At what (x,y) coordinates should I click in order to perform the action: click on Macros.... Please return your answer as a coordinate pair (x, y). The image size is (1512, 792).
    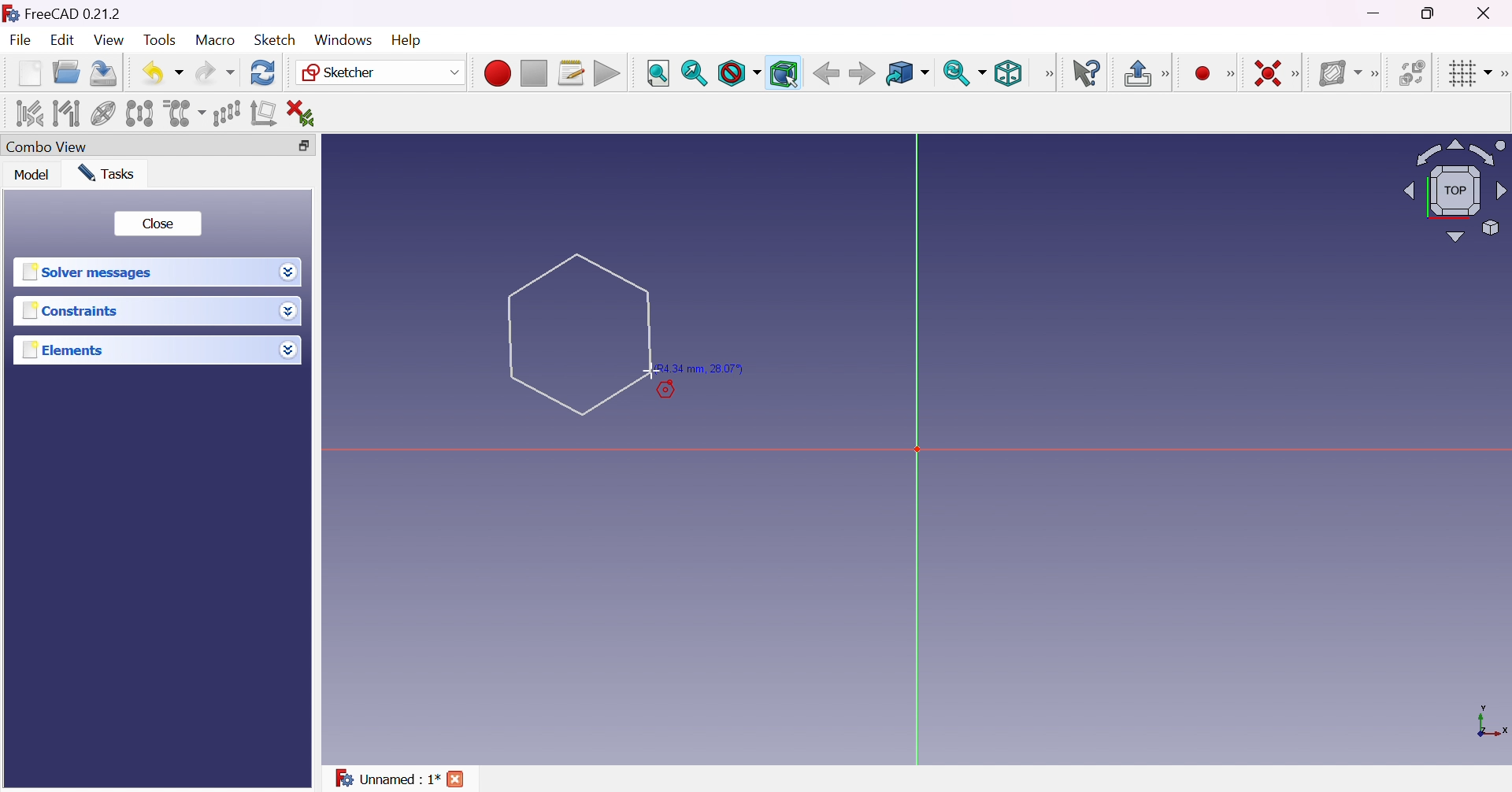
    Looking at the image, I should click on (571, 73).